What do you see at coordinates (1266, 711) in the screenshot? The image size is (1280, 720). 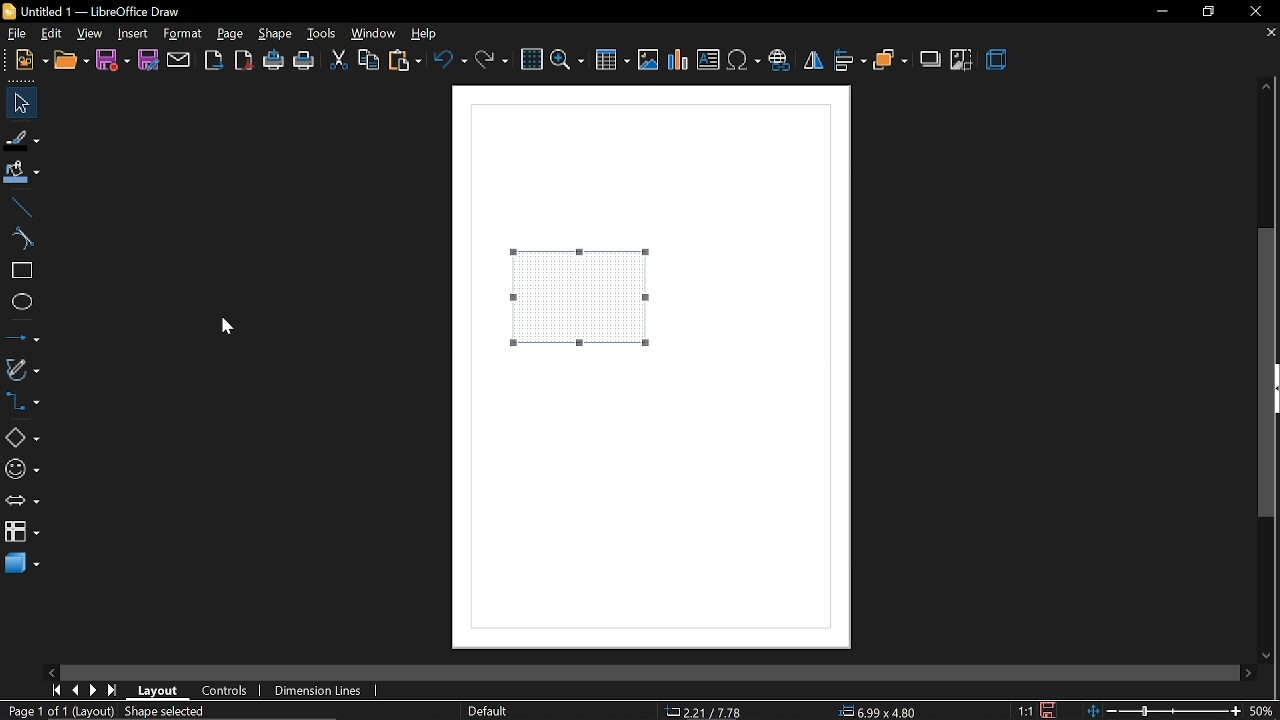 I see `current zoom` at bounding box center [1266, 711].